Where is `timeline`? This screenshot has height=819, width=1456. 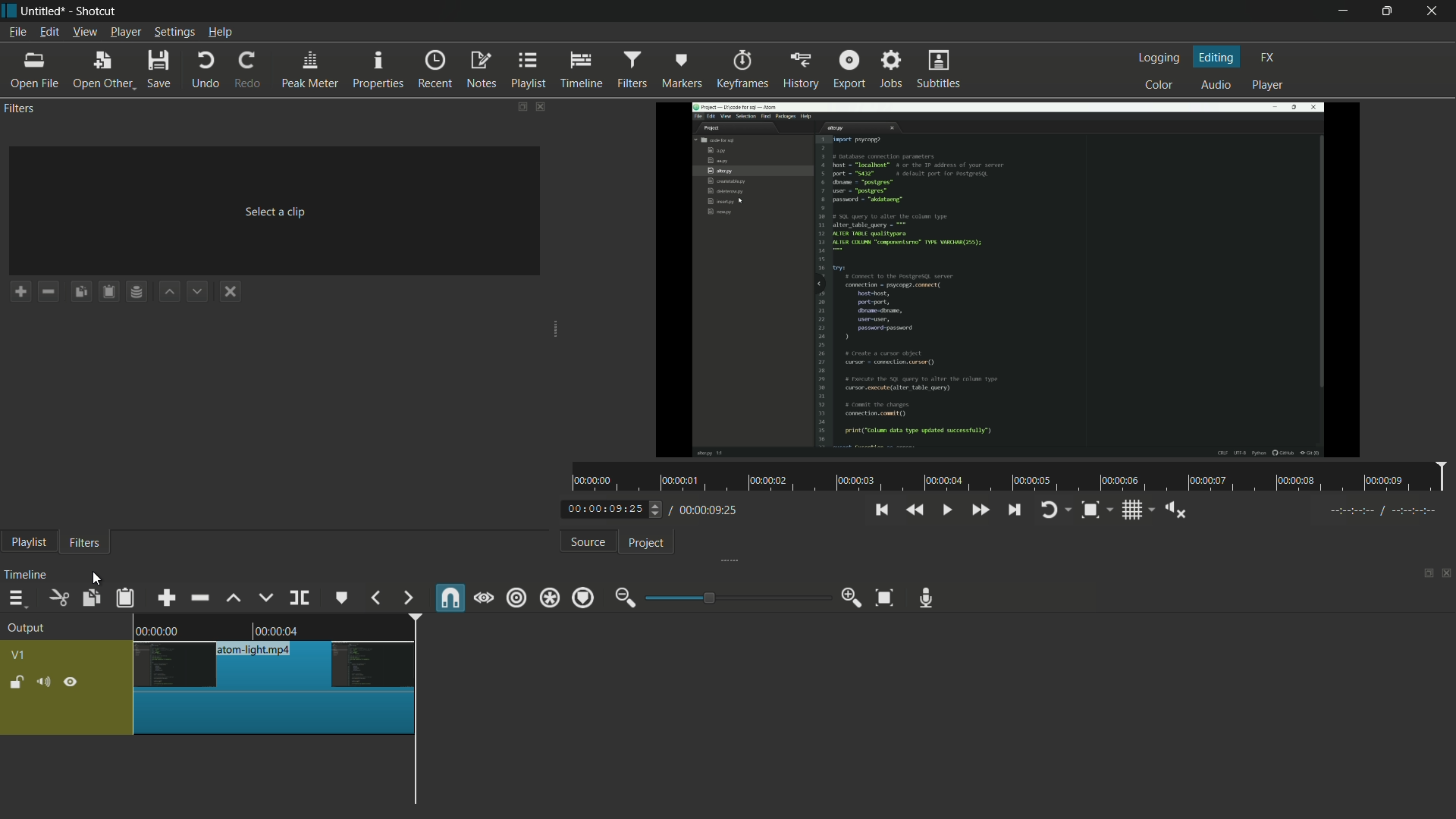
timeline is located at coordinates (28, 575).